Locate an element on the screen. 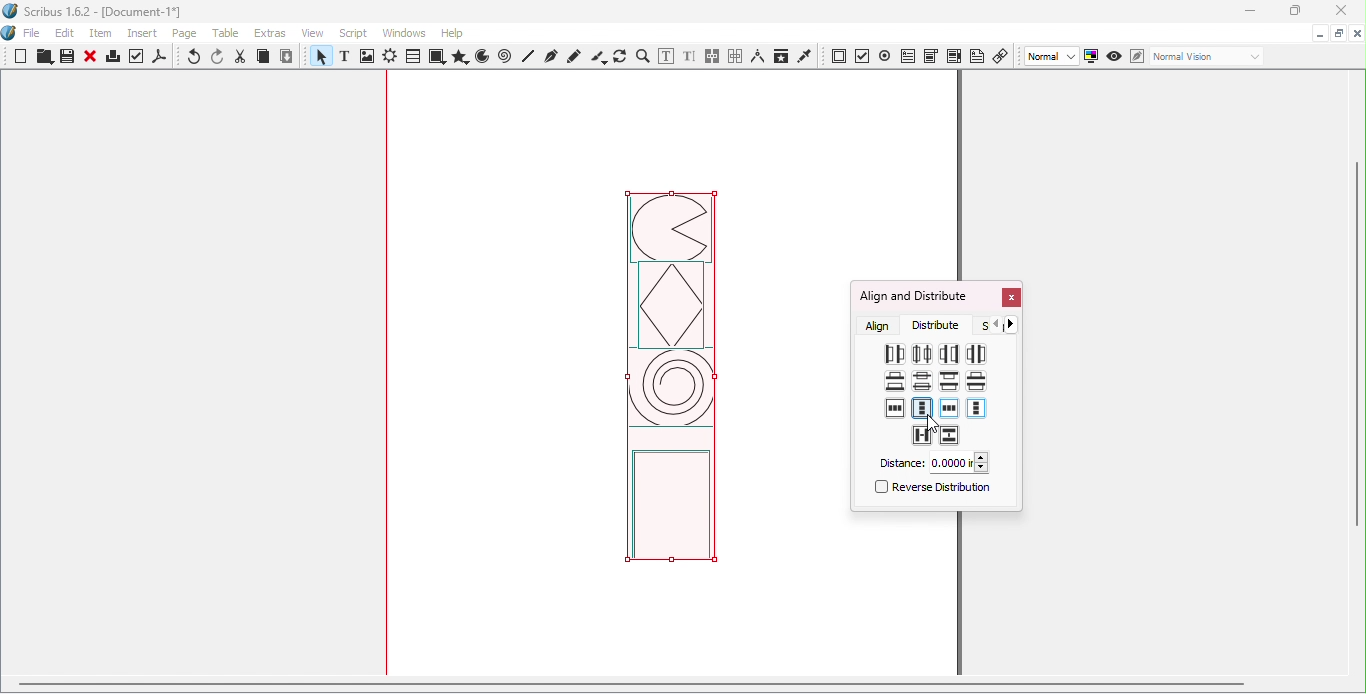  Script is located at coordinates (356, 32).